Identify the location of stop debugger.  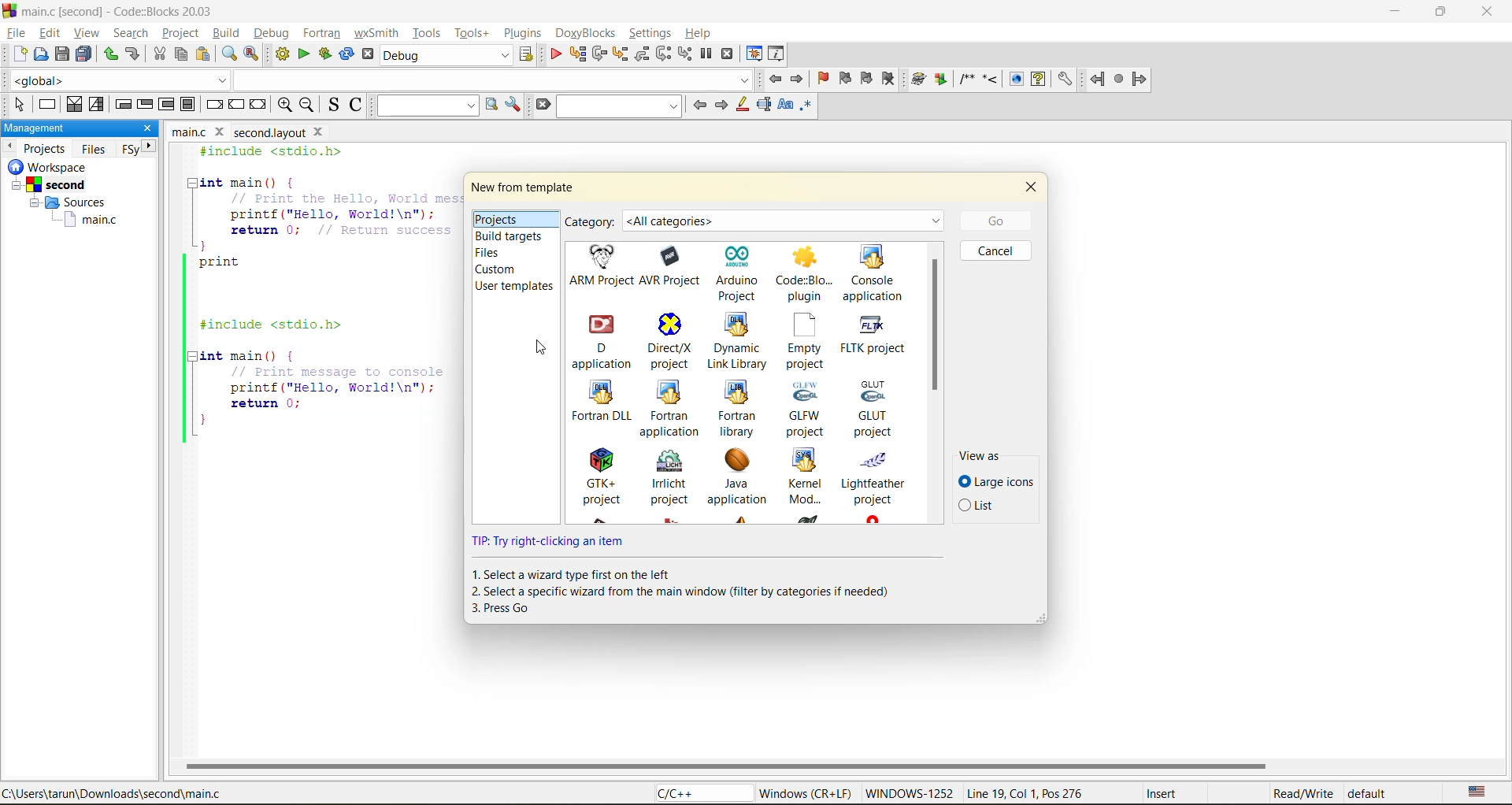
(726, 54).